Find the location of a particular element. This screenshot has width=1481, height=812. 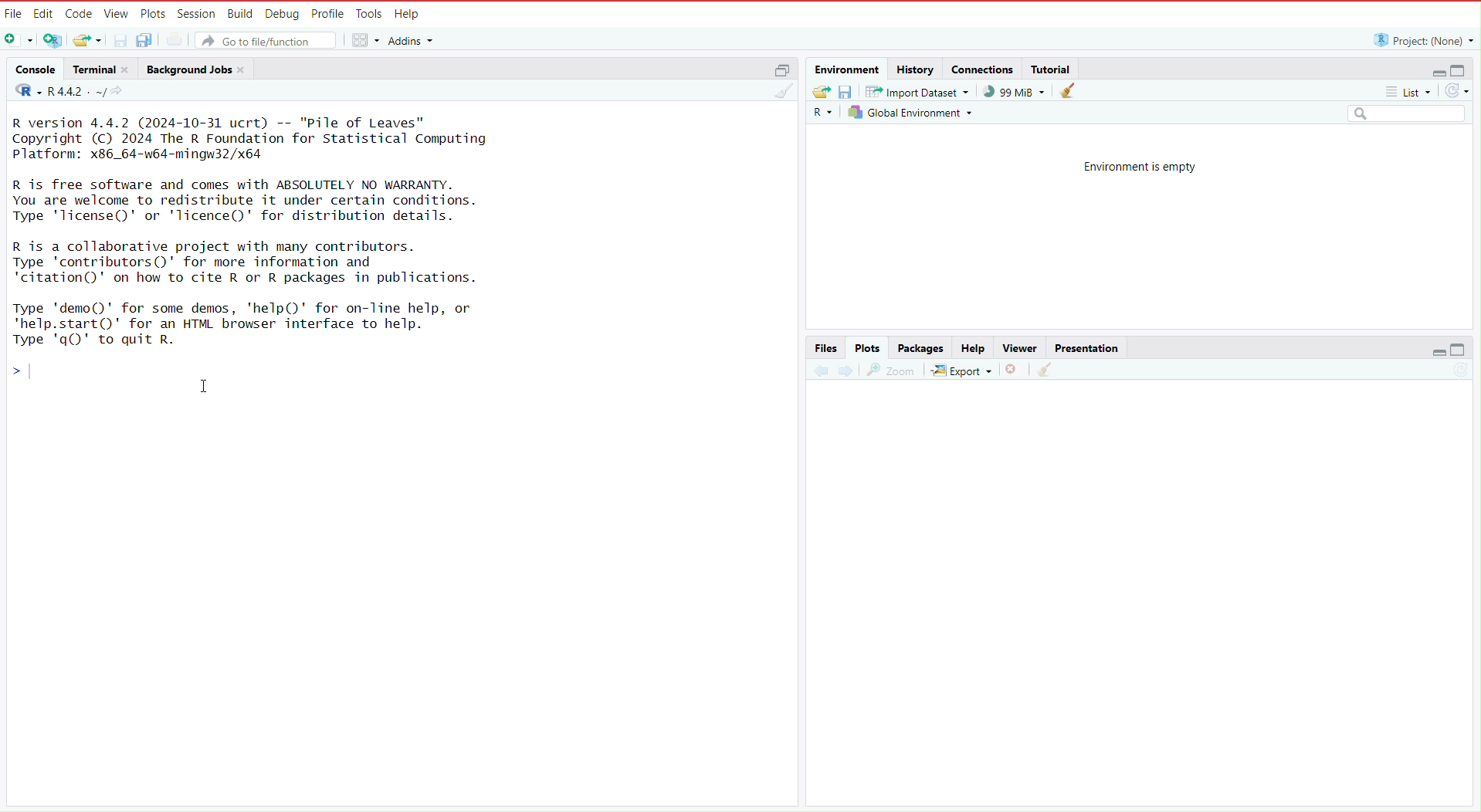

99 MiB is located at coordinates (1014, 92).